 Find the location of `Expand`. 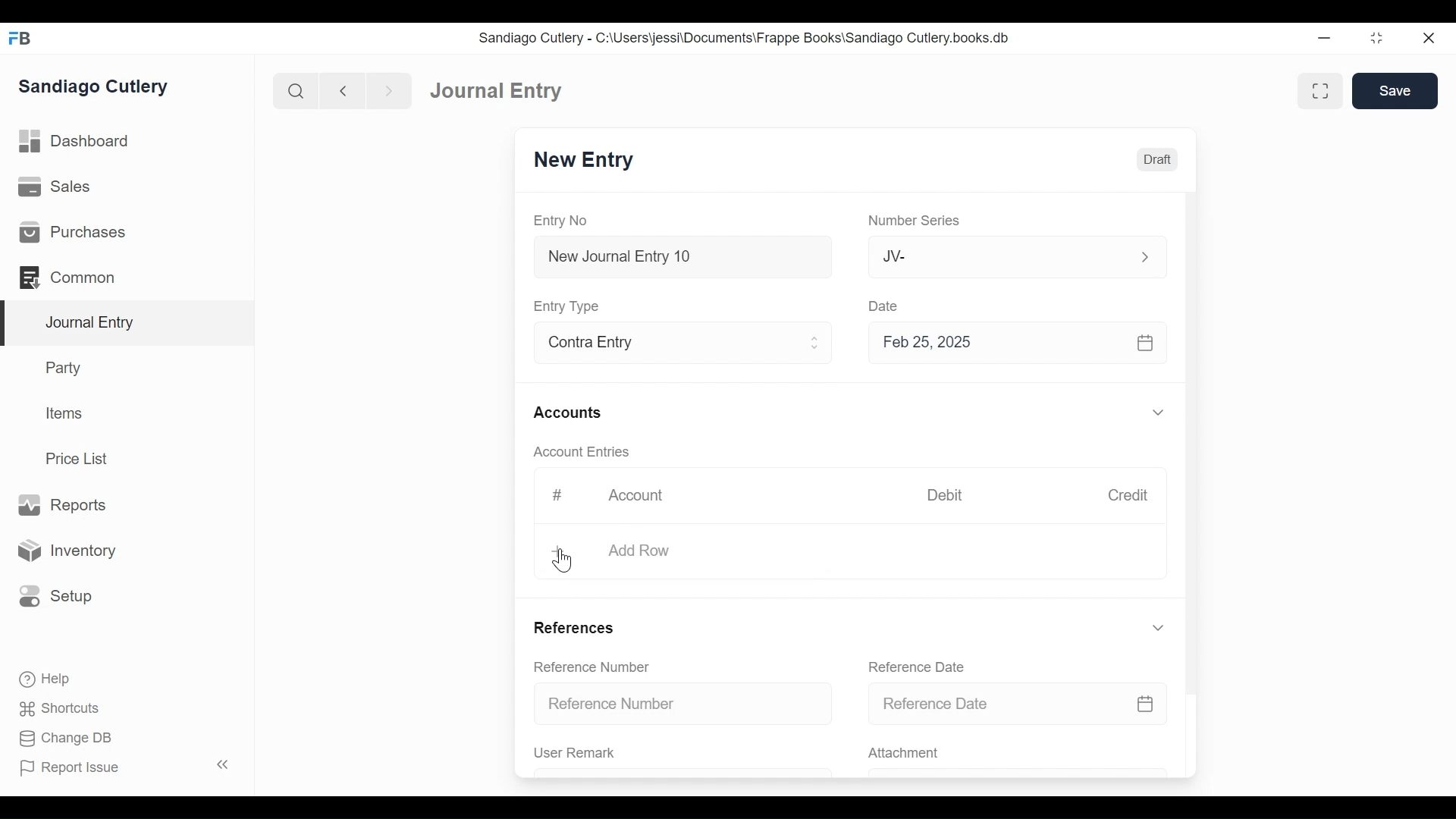

Expand is located at coordinates (1158, 413).